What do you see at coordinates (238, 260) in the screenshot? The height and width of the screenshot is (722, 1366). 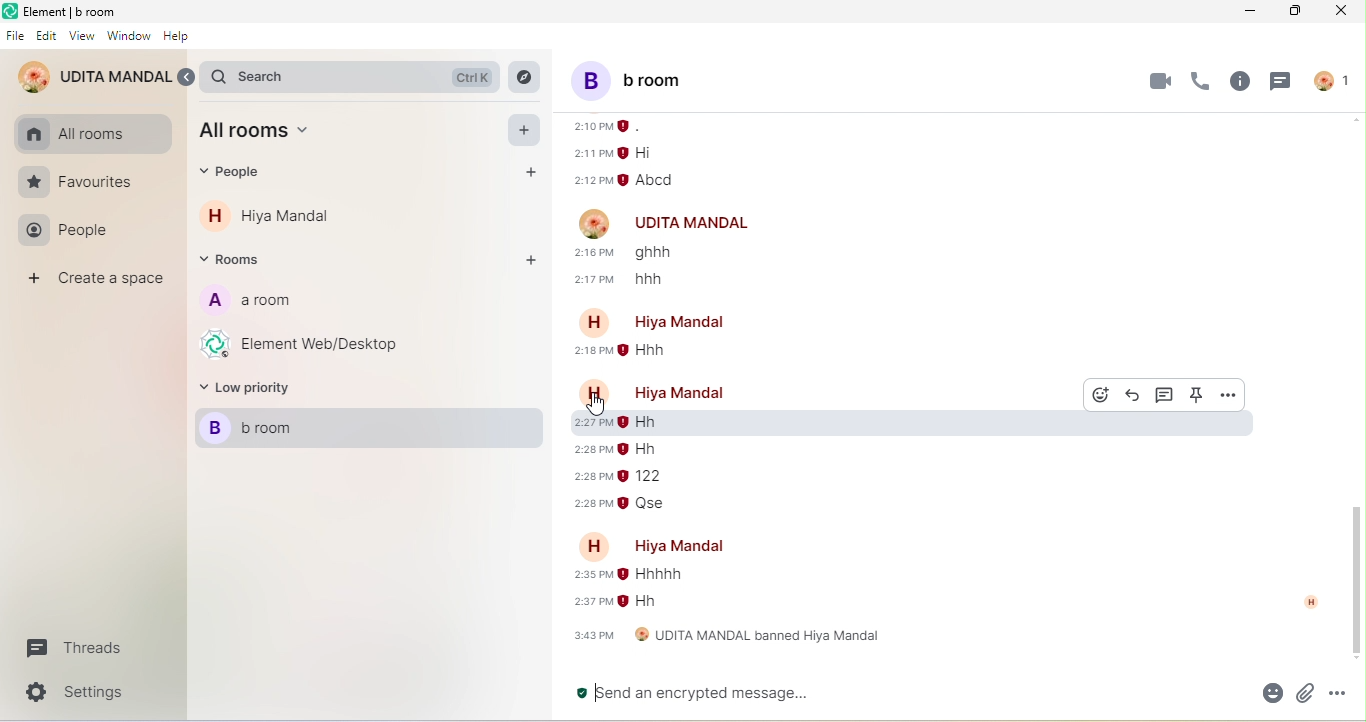 I see `rooms` at bounding box center [238, 260].